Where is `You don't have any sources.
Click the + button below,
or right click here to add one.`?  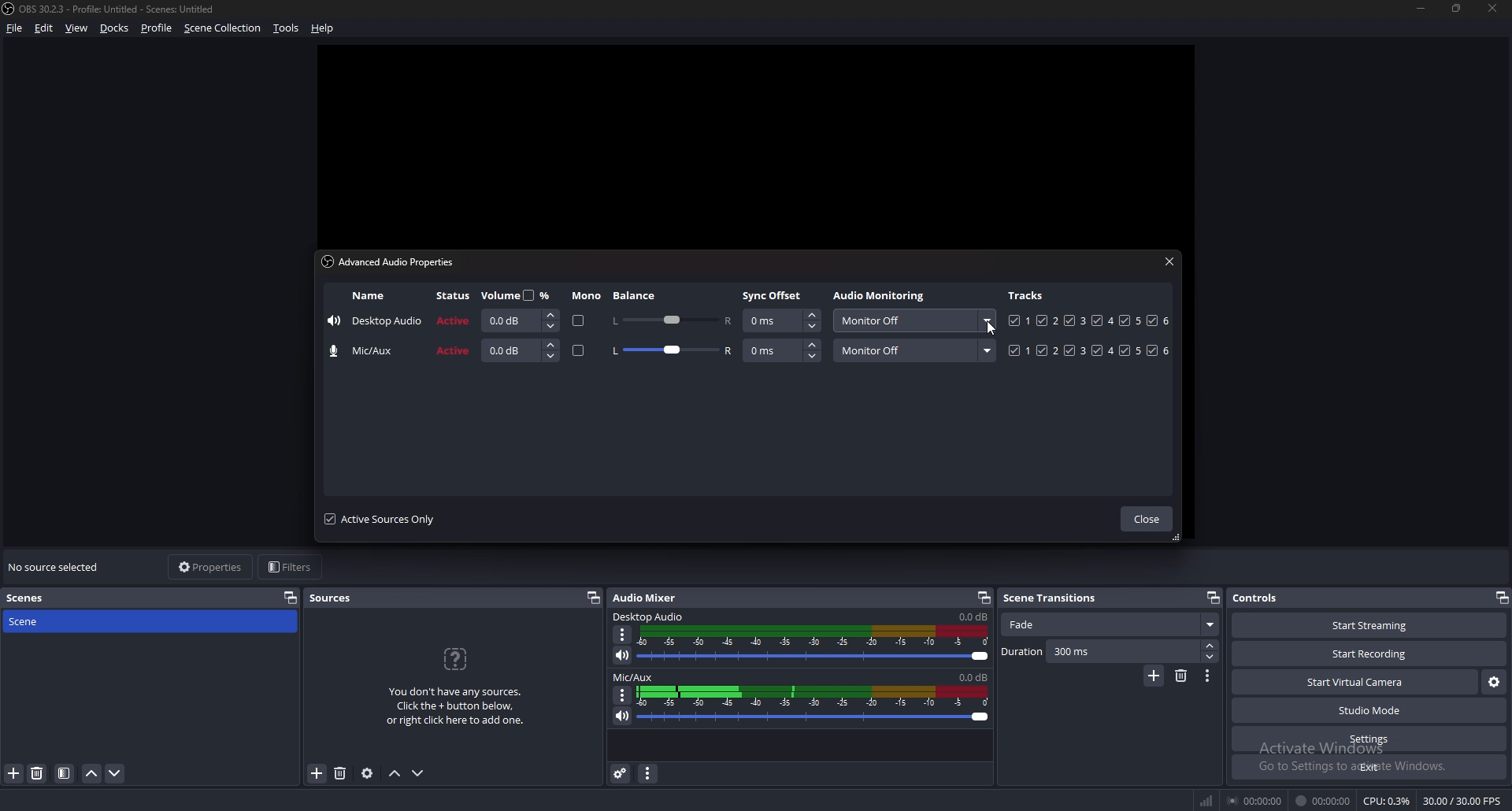
You don't have any sources.
Click the + button below,
or right click here to add one. is located at coordinates (461, 687).